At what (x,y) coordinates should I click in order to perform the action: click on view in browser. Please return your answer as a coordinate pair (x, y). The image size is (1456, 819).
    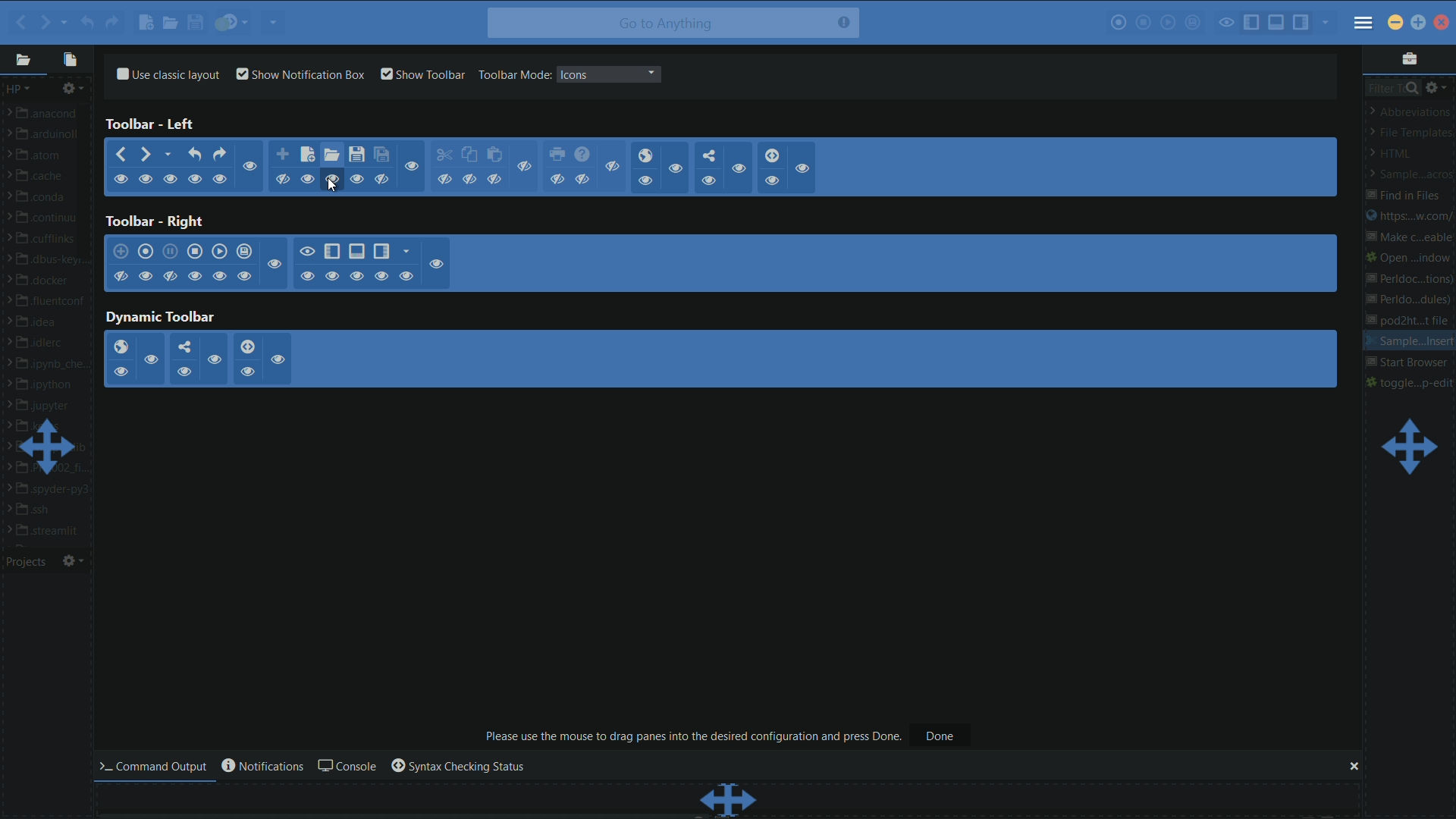
    Looking at the image, I should click on (645, 155).